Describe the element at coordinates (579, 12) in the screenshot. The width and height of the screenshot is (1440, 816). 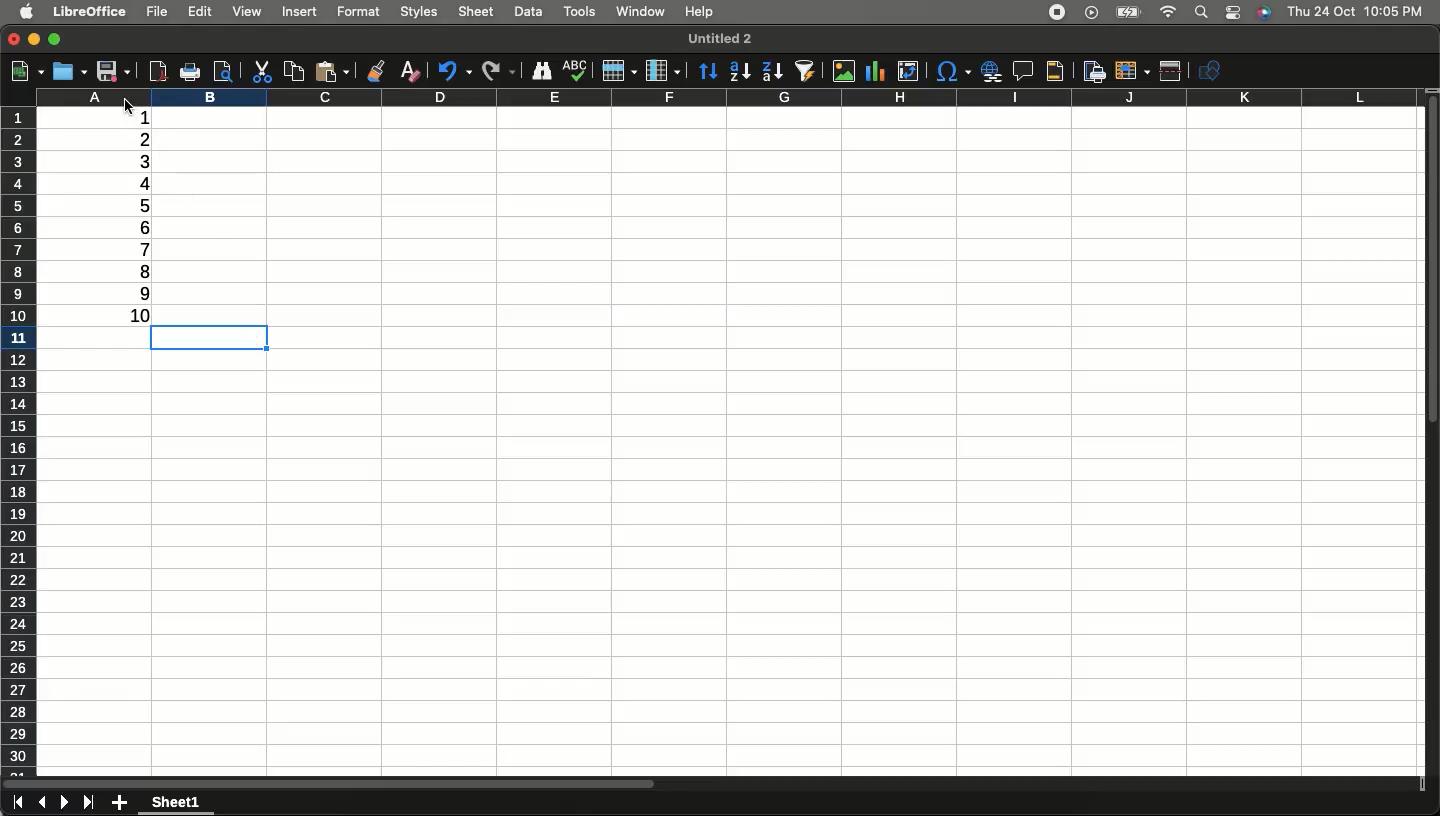
I see `Tools` at that location.